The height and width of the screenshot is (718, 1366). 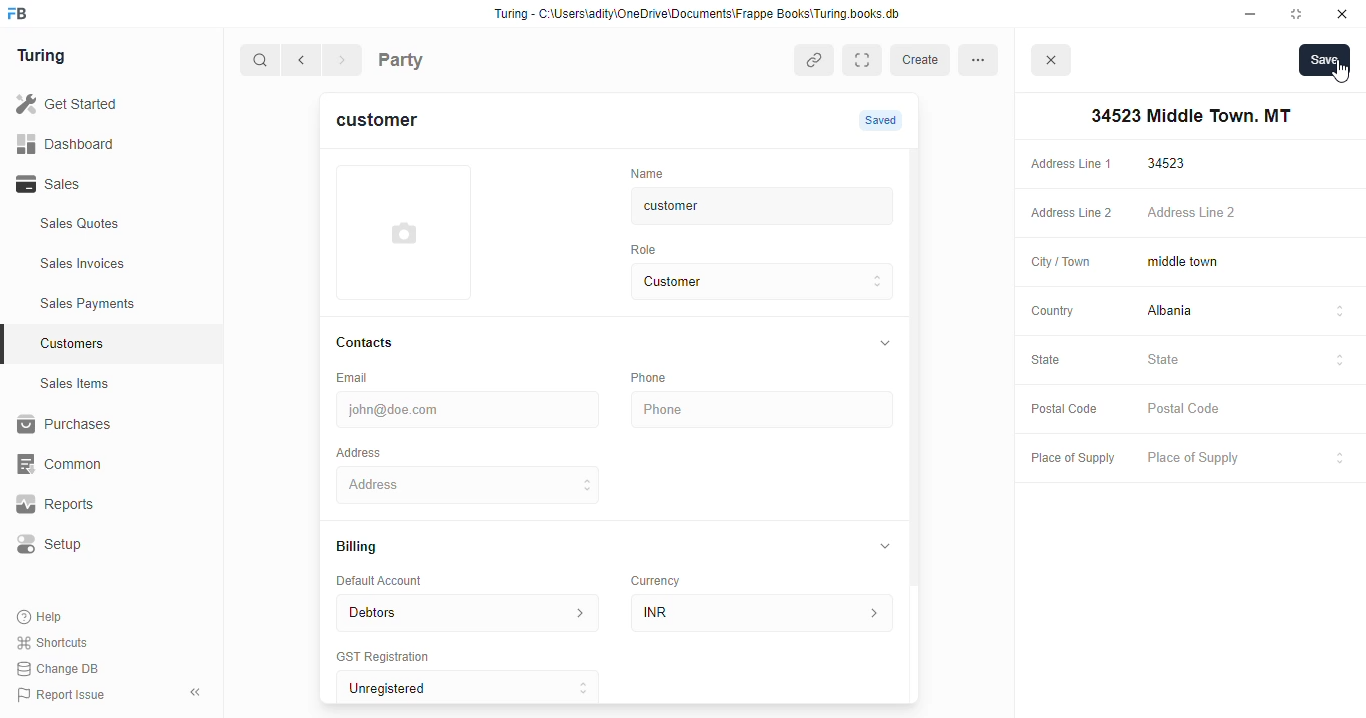 I want to click on Sales Items., so click(x=111, y=384).